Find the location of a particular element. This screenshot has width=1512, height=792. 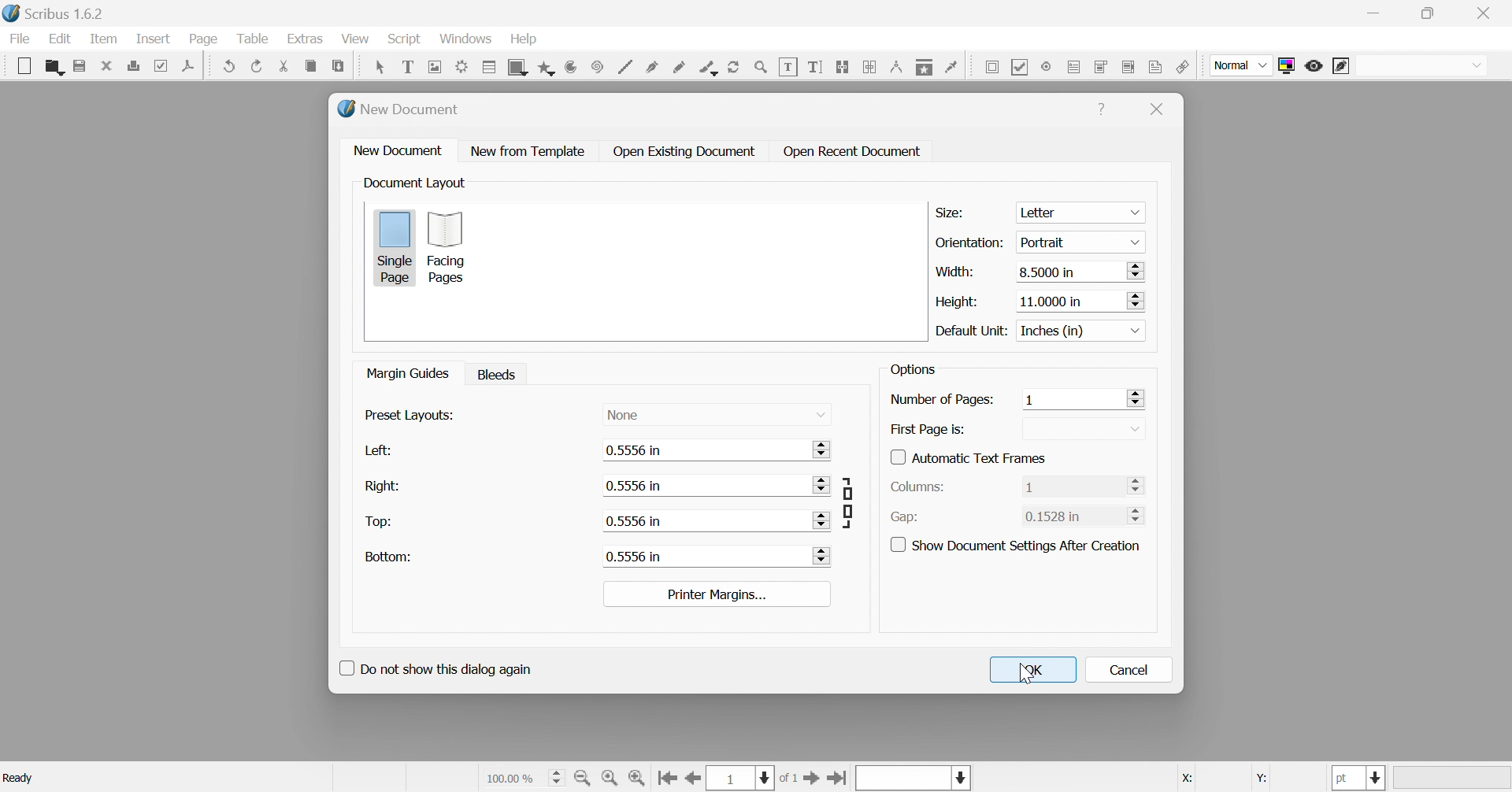

save as pdf is located at coordinates (194, 65).